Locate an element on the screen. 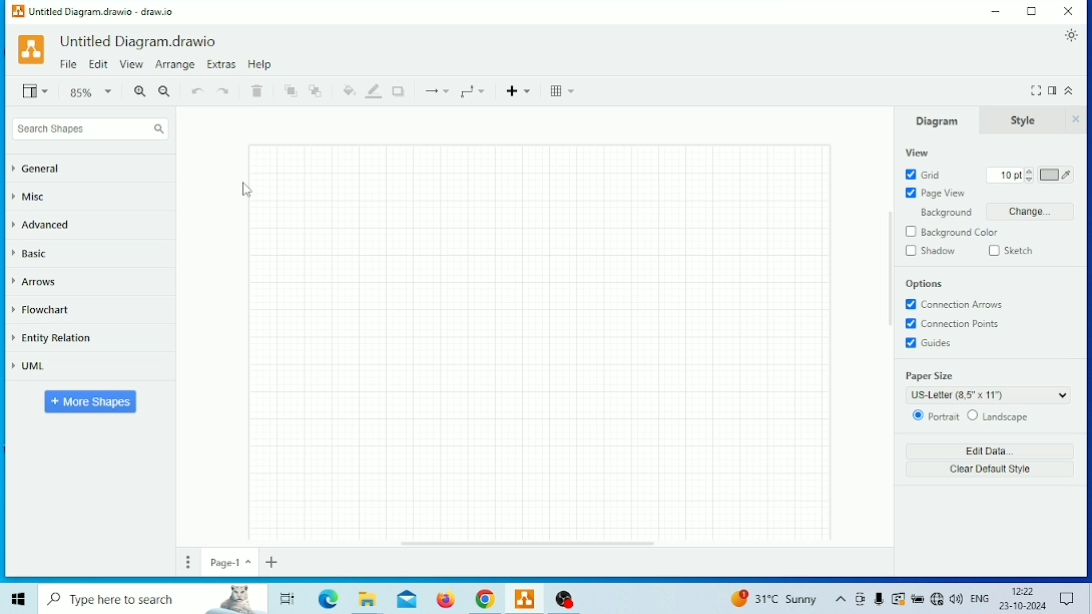 The height and width of the screenshot is (614, 1092). Windows is located at coordinates (20, 599).